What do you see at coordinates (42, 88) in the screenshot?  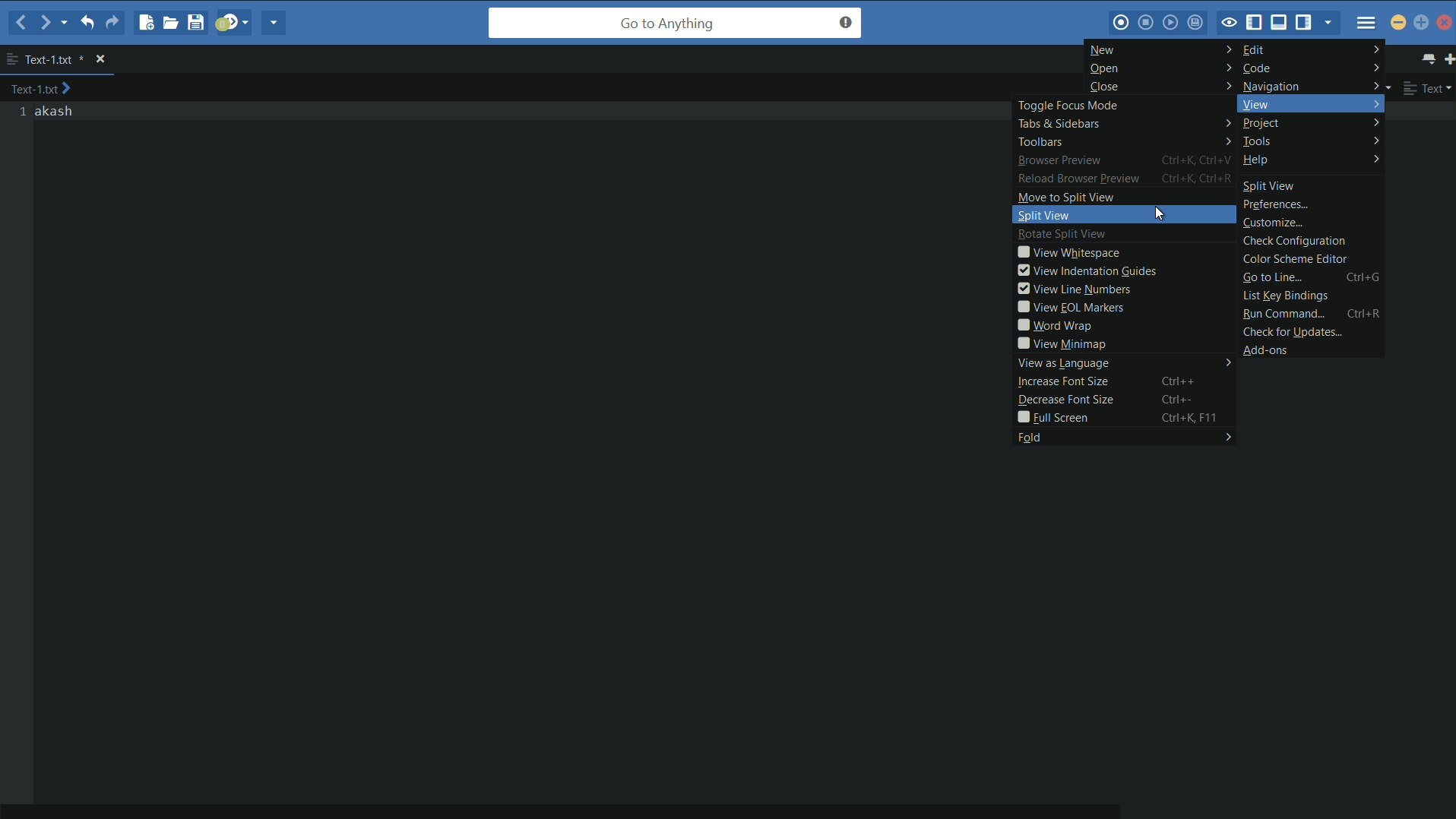 I see `text-1 file` at bounding box center [42, 88].